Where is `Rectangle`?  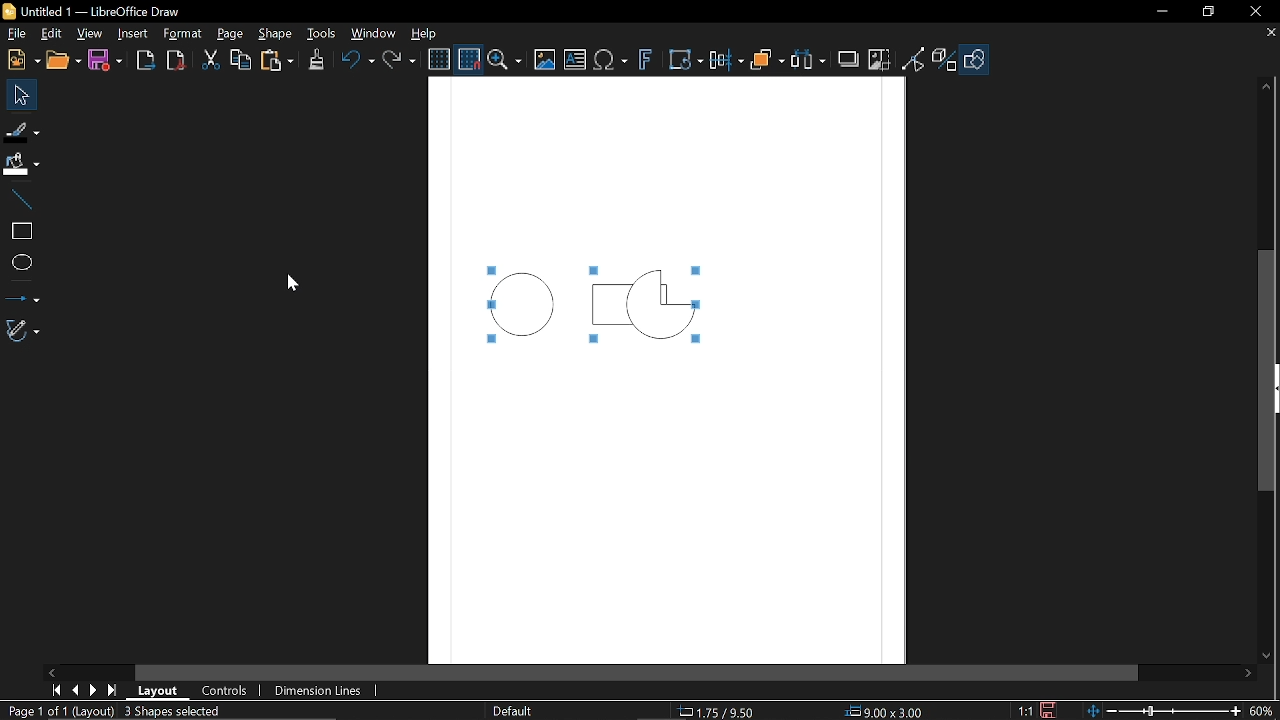 Rectangle is located at coordinates (632, 306).